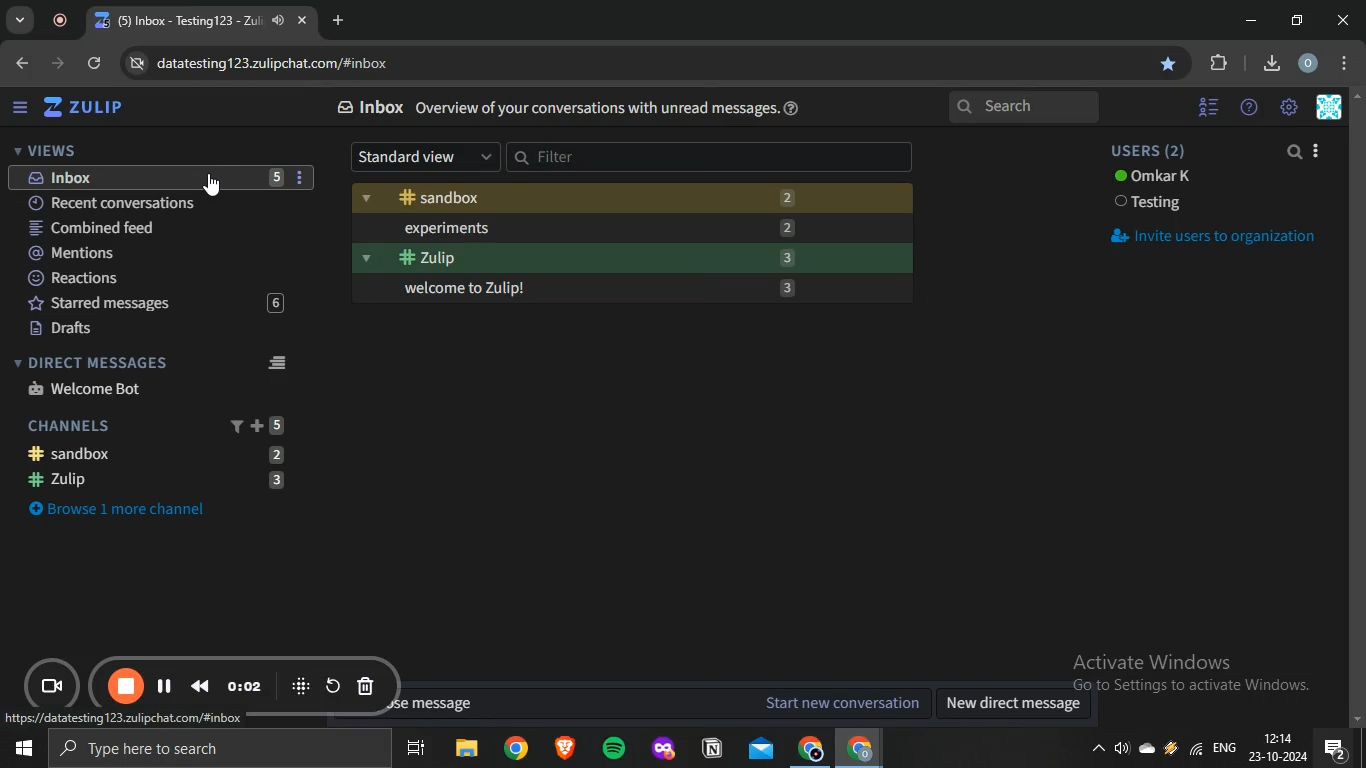 This screenshot has width=1366, height=768. What do you see at coordinates (1151, 204) in the screenshot?
I see `text` at bounding box center [1151, 204].